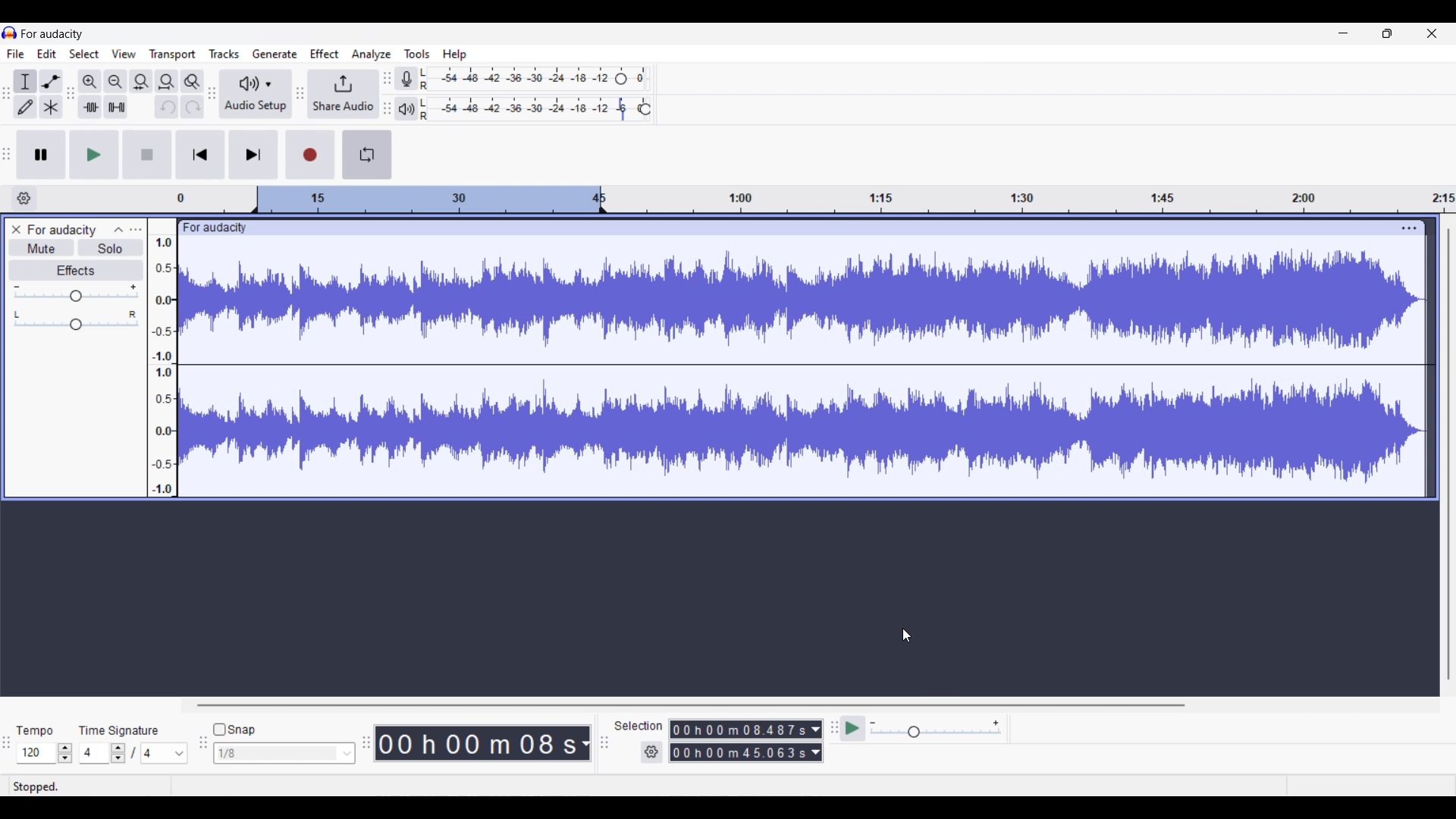 This screenshot has width=1456, height=819. What do you see at coordinates (936, 728) in the screenshot?
I see `Playback speed scale` at bounding box center [936, 728].